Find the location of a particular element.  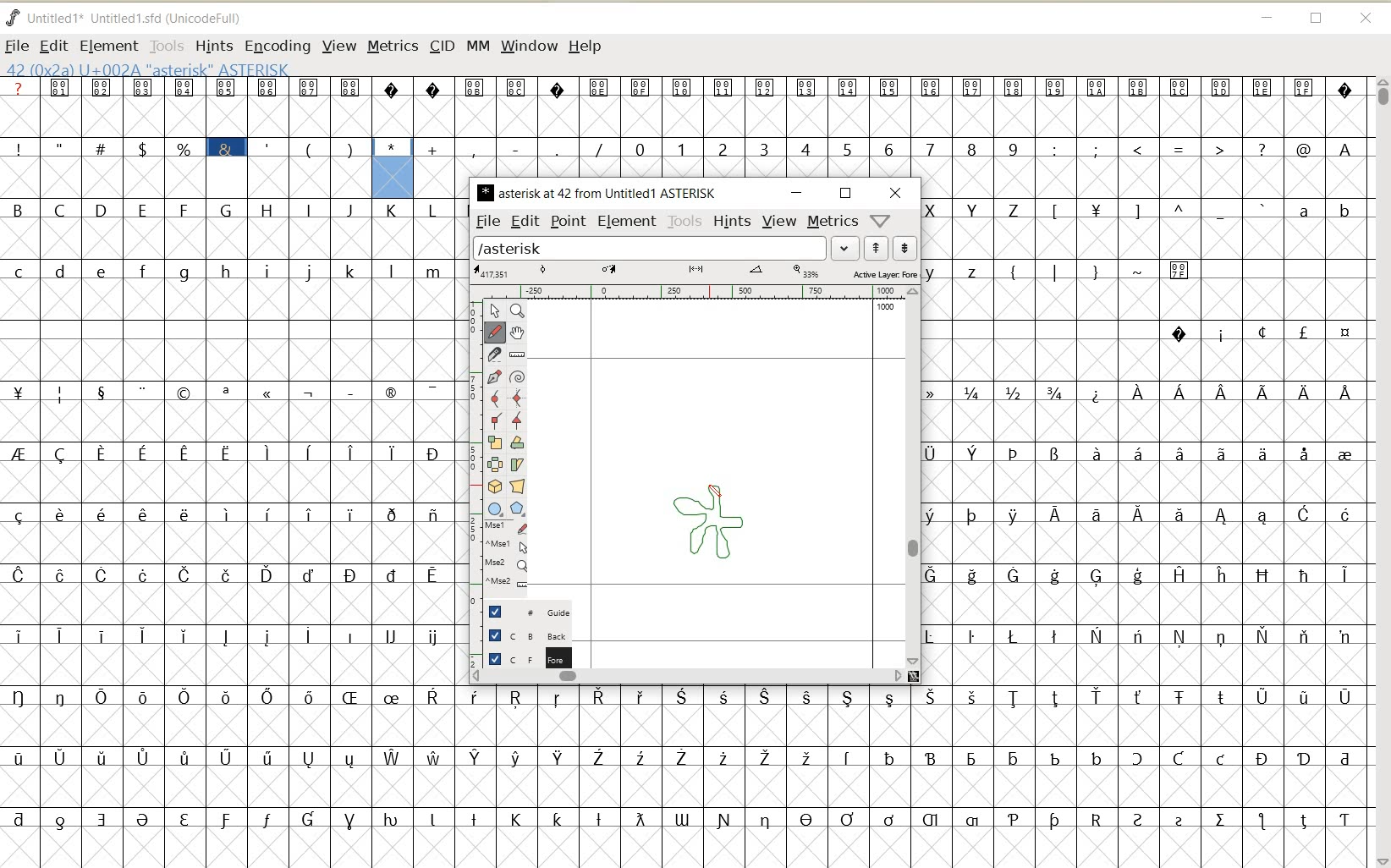

42 (0x2A) U+002A "Asterisk" ASTERISK is located at coordinates (147, 69).